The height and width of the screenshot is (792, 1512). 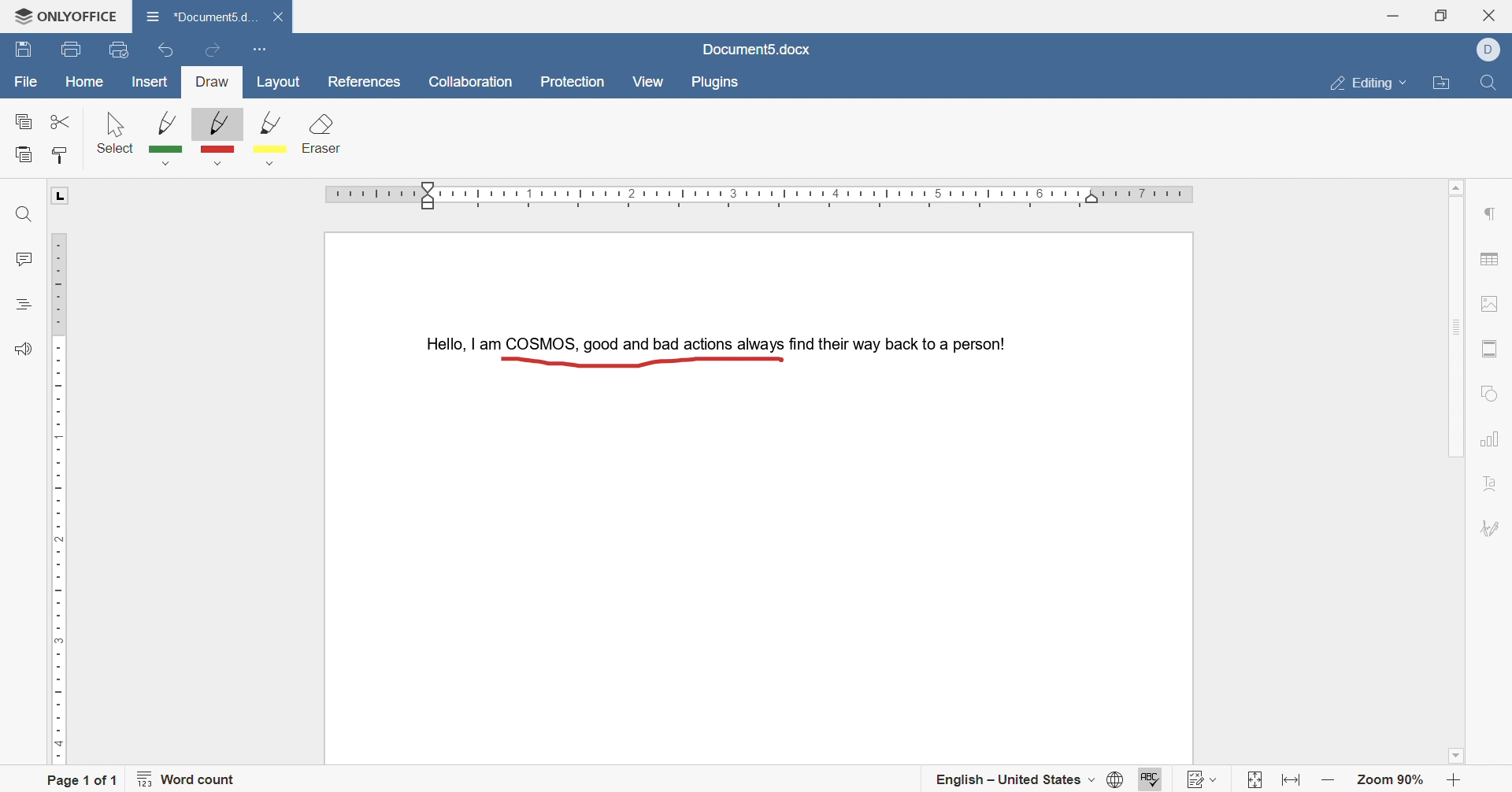 I want to click on MOUSE_UP Cursor Position, so click(x=780, y=361).